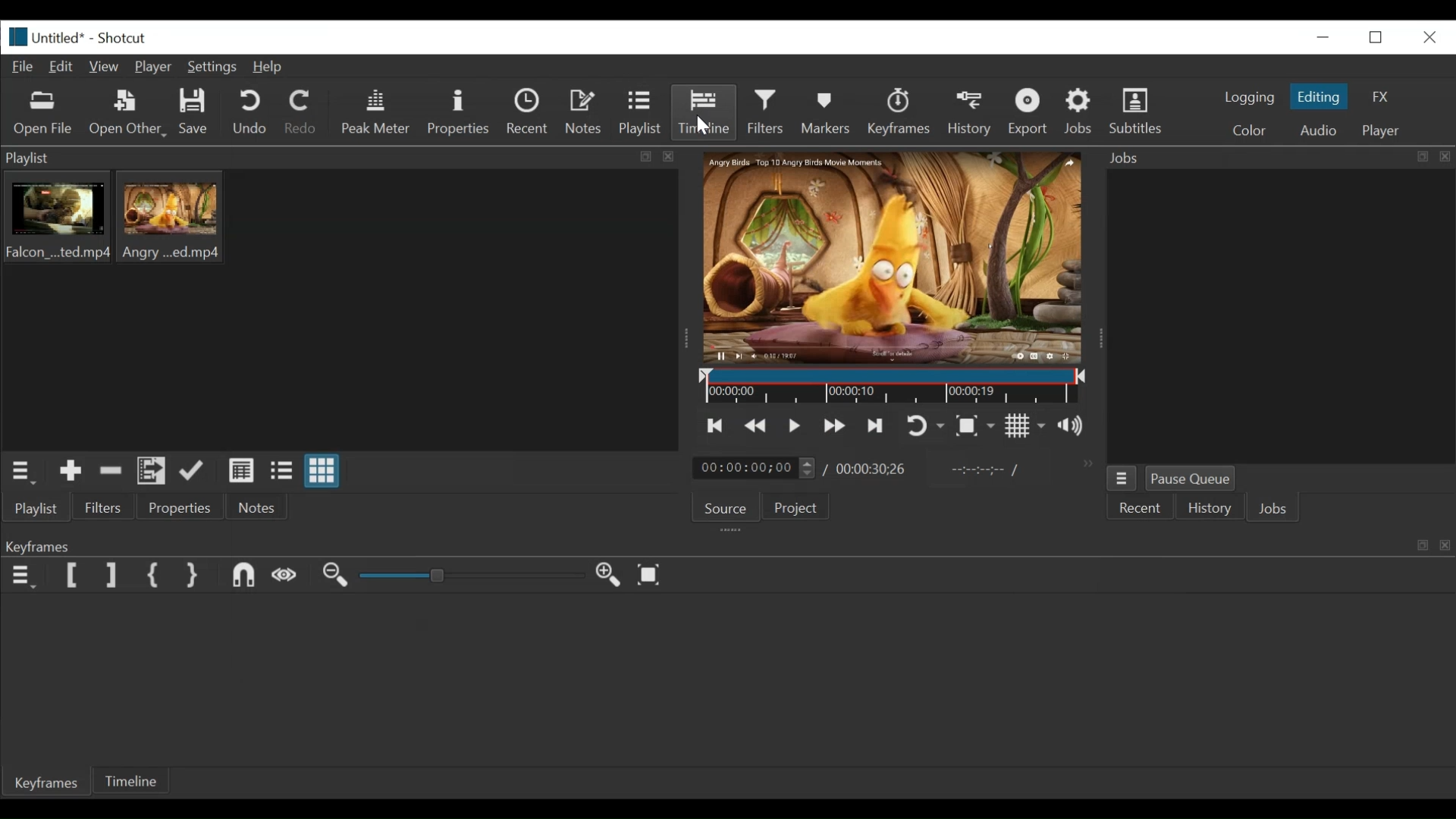  What do you see at coordinates (181, 508) in the screenshot?
I see `properties` at bounding box center [181, 508].